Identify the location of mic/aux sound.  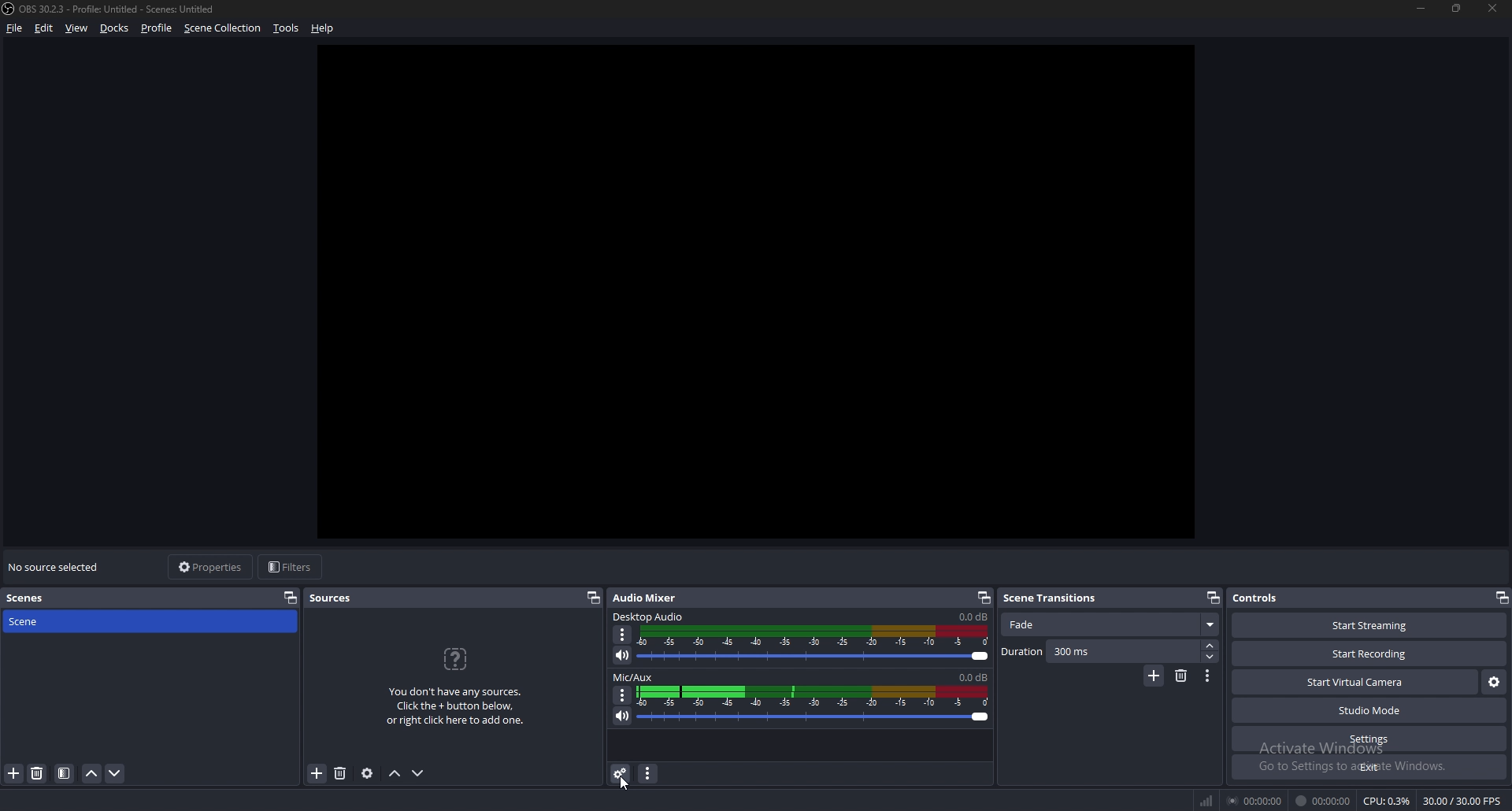
(971, 676).